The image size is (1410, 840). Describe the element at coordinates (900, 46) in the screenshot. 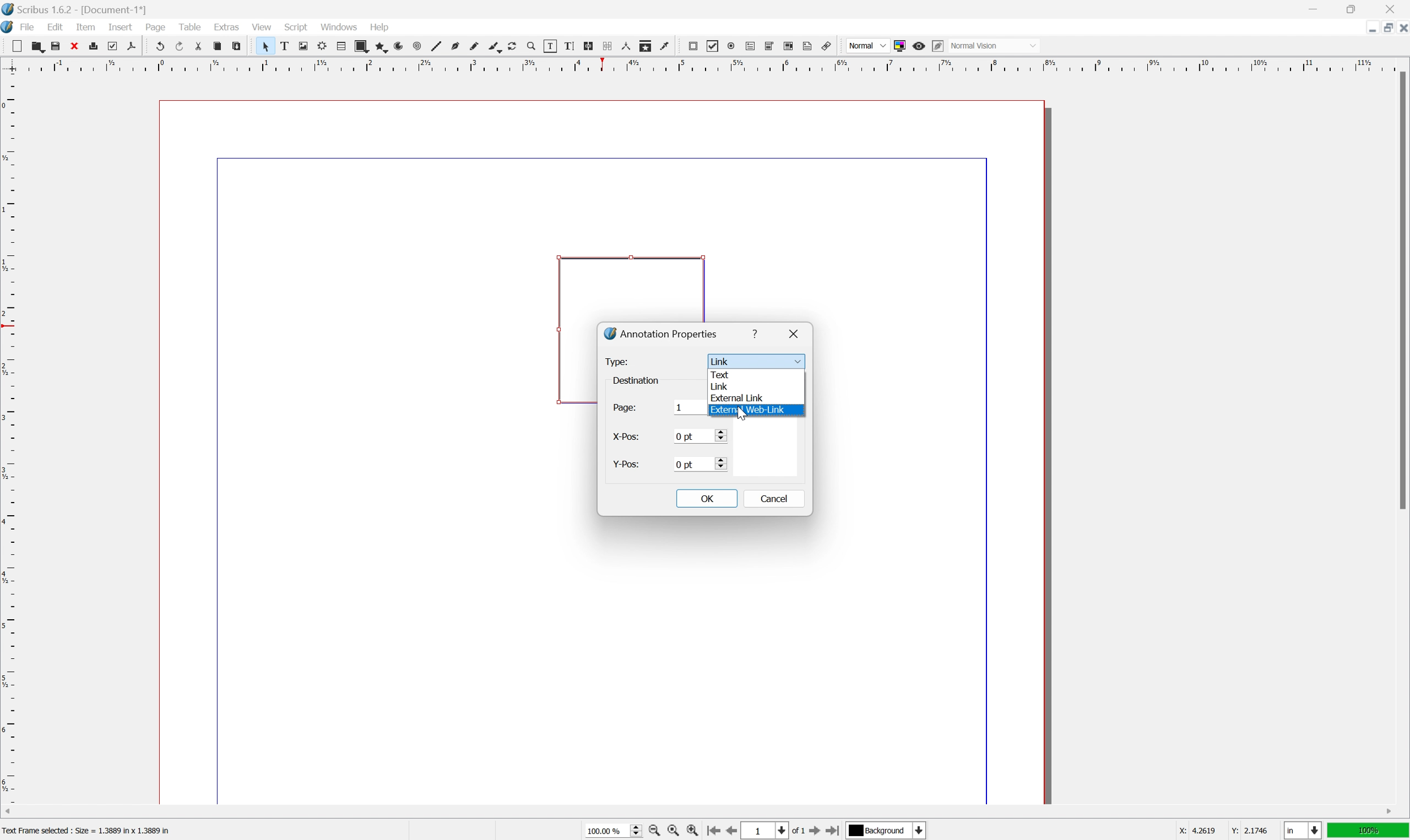

I see `toggle color management system` at that location.